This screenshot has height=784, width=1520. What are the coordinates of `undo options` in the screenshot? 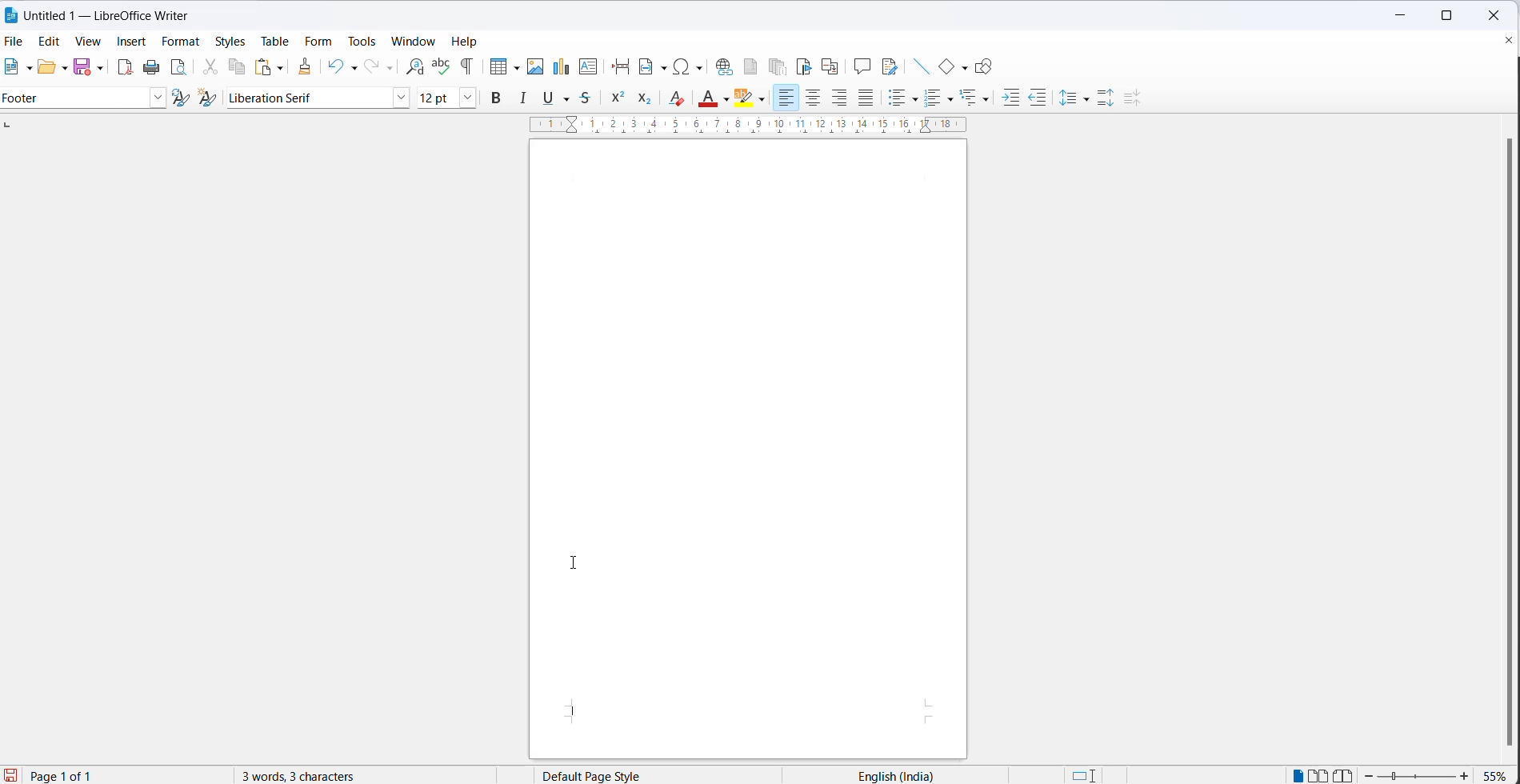 It's located at (352, 67).